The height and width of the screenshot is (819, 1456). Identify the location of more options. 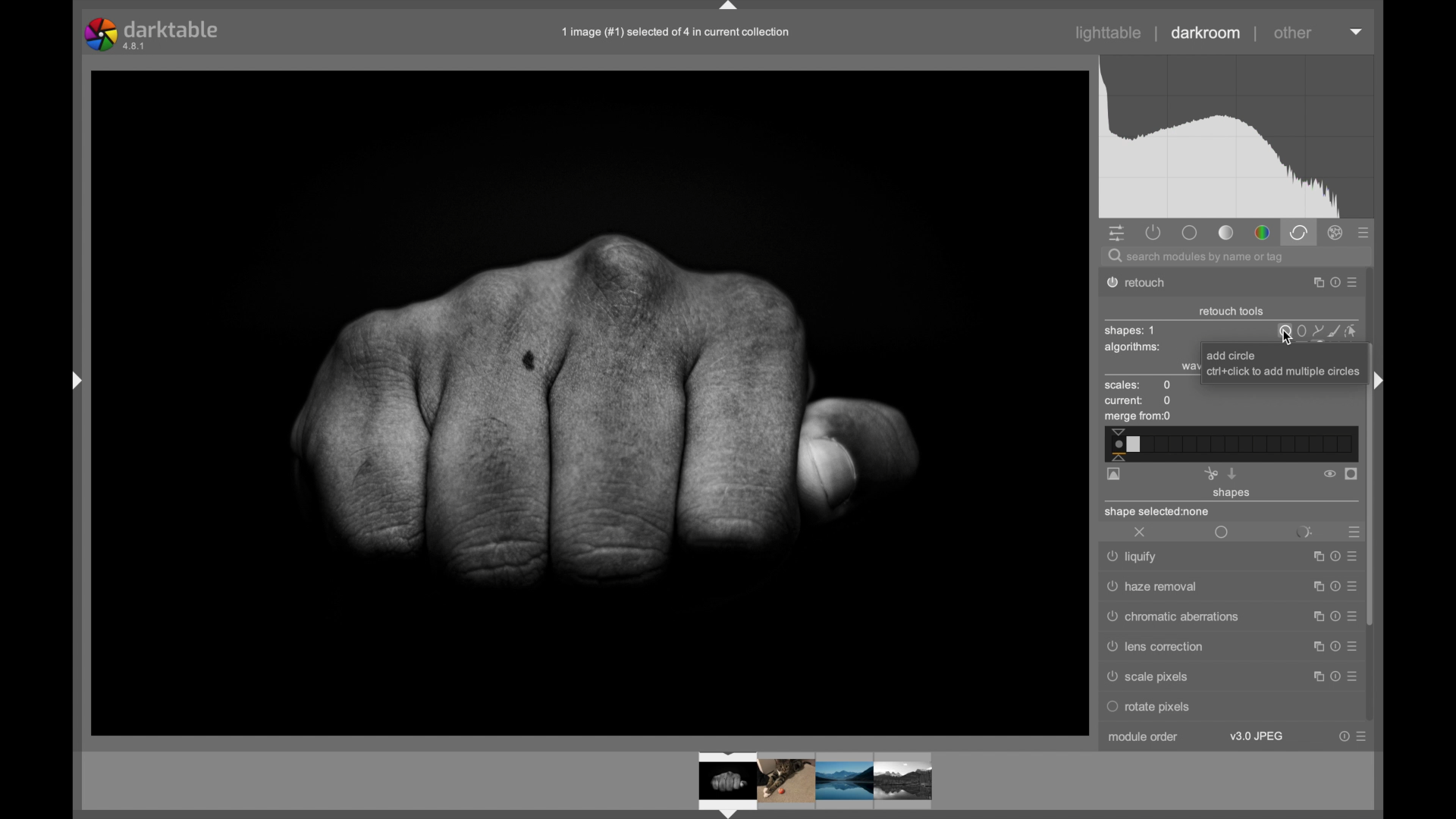
(1351, 676).